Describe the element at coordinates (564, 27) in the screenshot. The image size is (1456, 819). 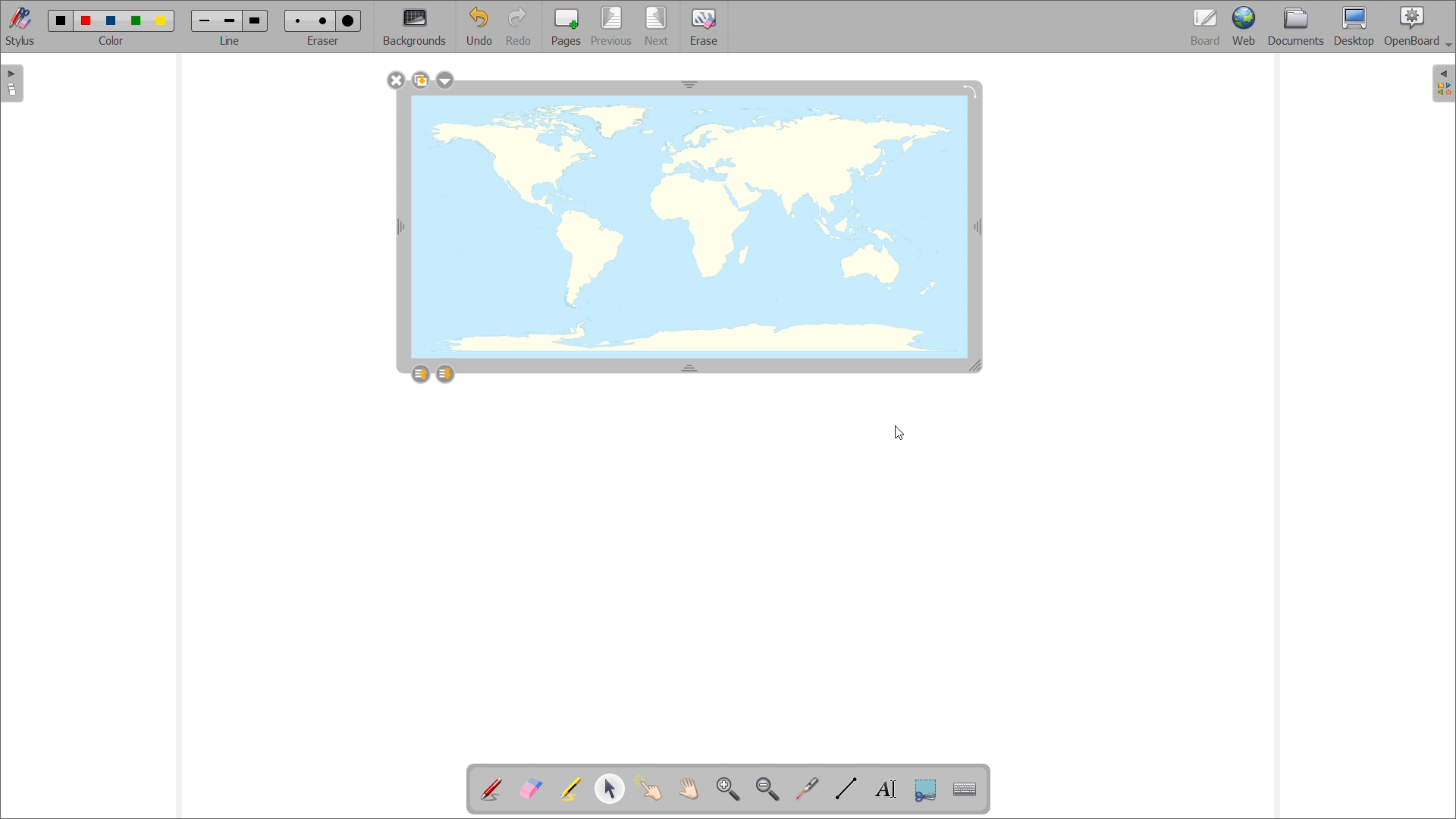
I see `add pages` at that location.